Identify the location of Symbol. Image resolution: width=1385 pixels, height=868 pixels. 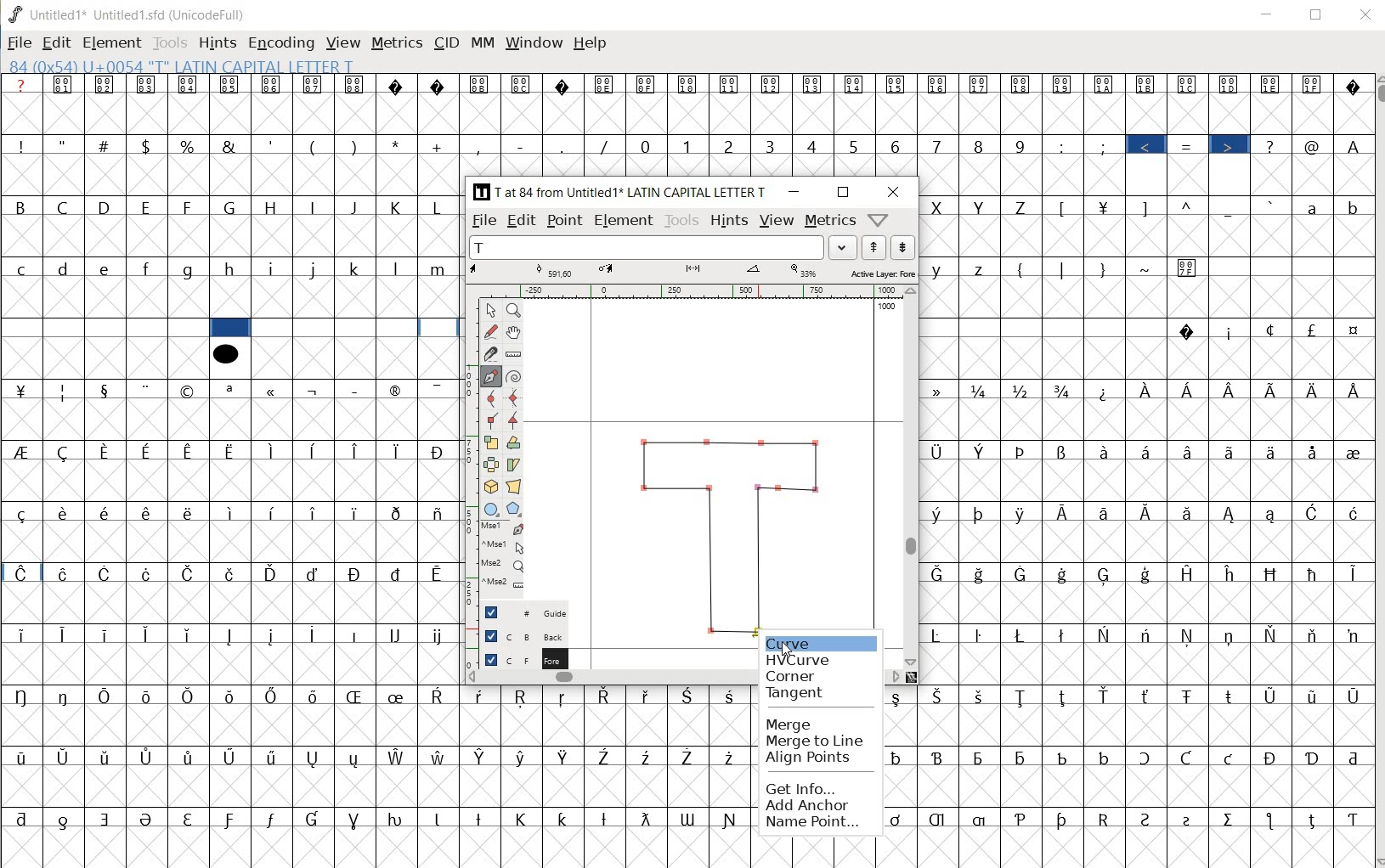
(1144, 758).